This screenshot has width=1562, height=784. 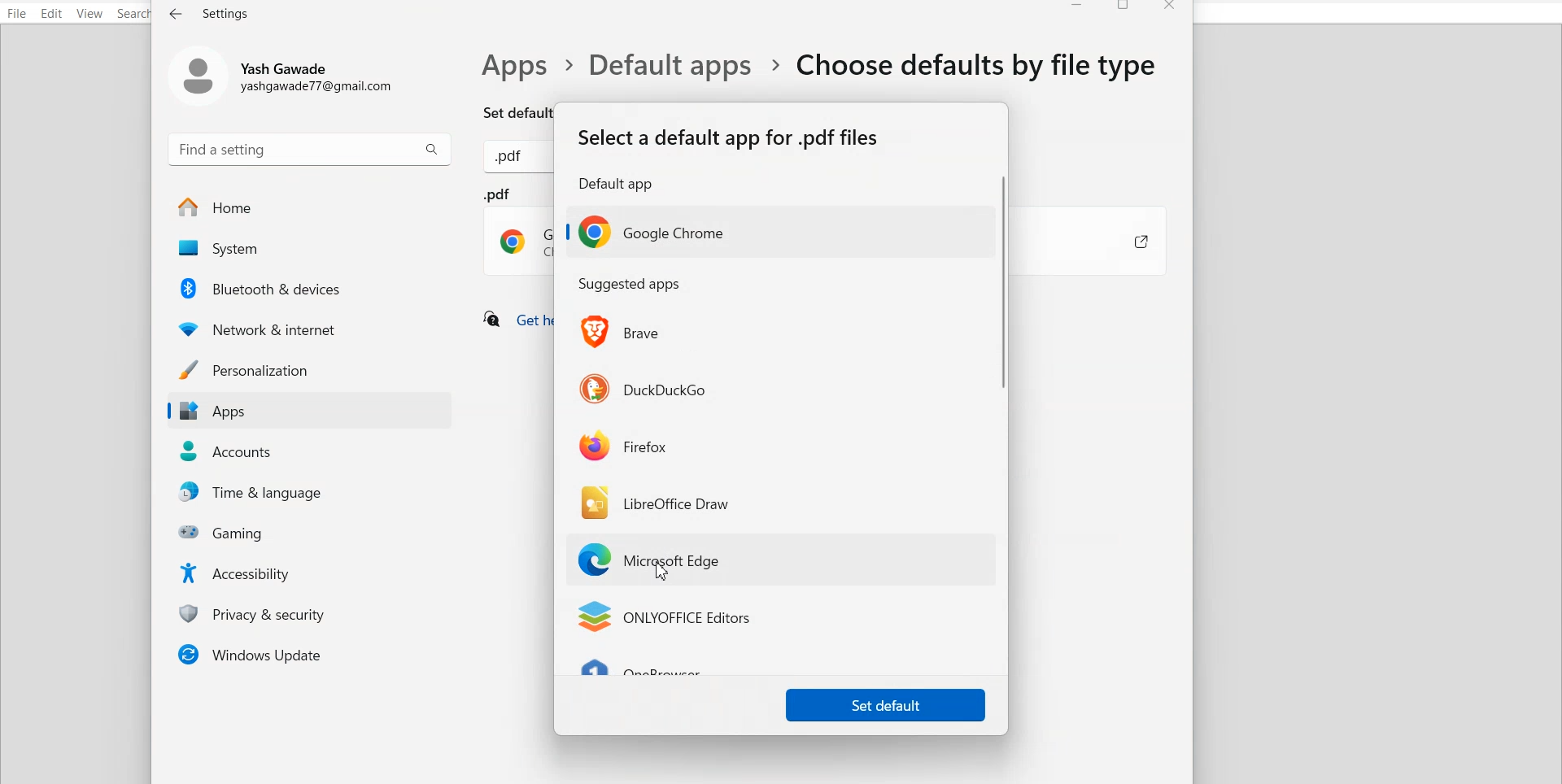 I want to click on Set default, so click(x=886, y=703).